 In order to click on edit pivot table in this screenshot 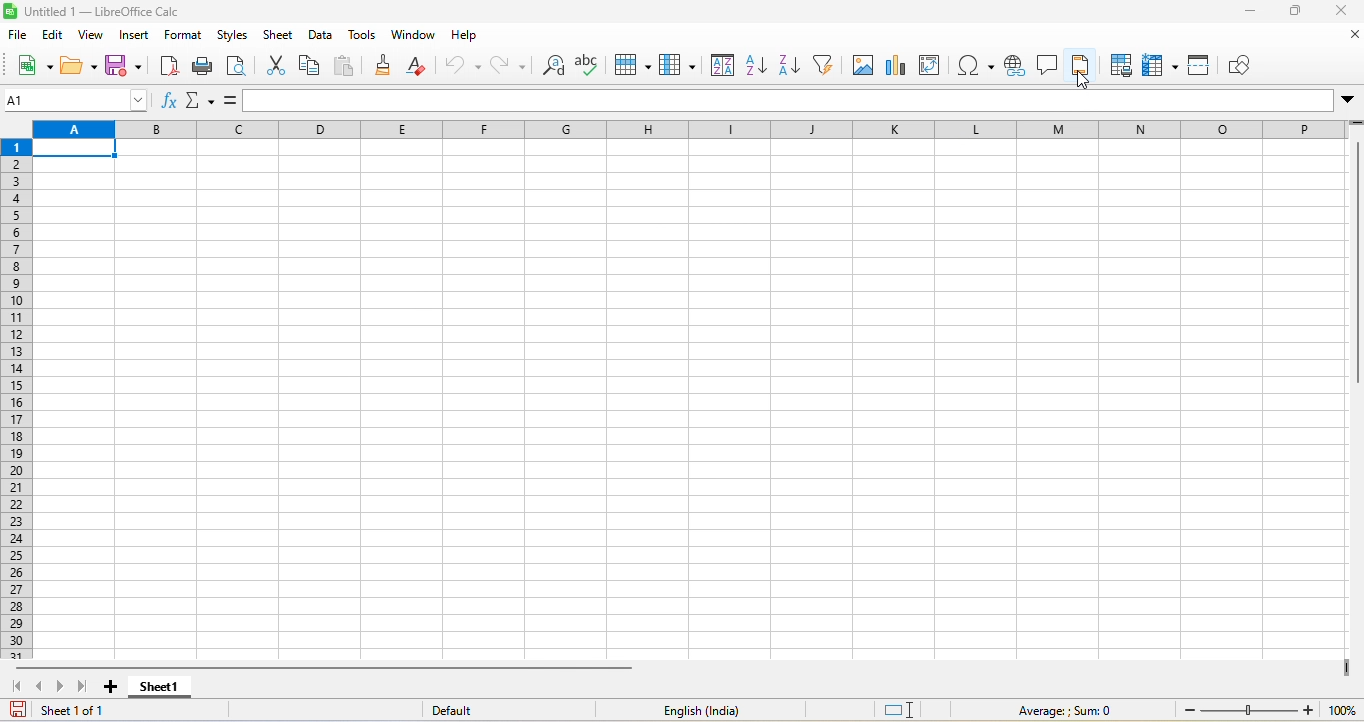, I will do `click(937, 67)`.